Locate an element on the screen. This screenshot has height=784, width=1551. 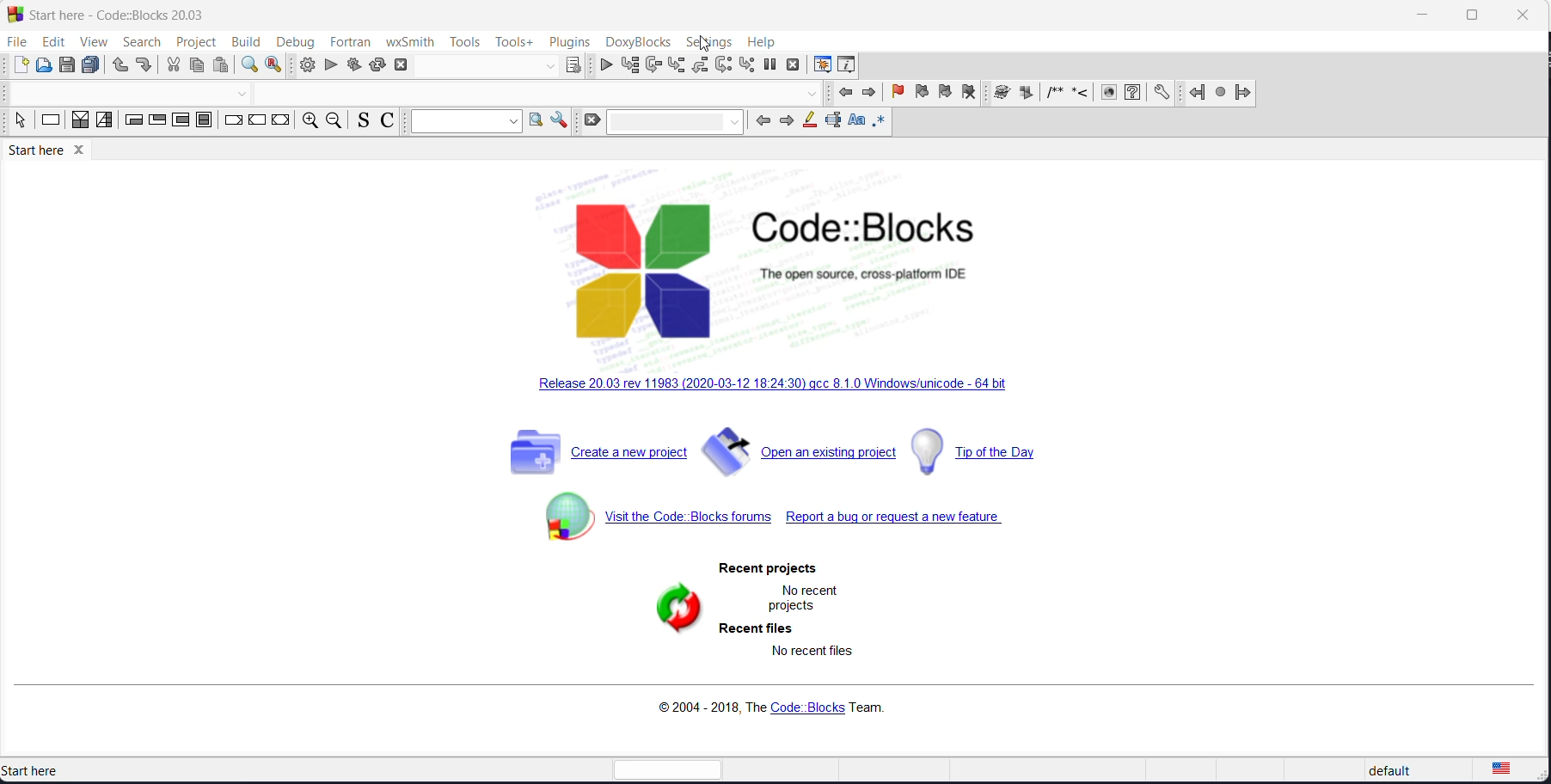
highlight is located at coordinates (808, 122).